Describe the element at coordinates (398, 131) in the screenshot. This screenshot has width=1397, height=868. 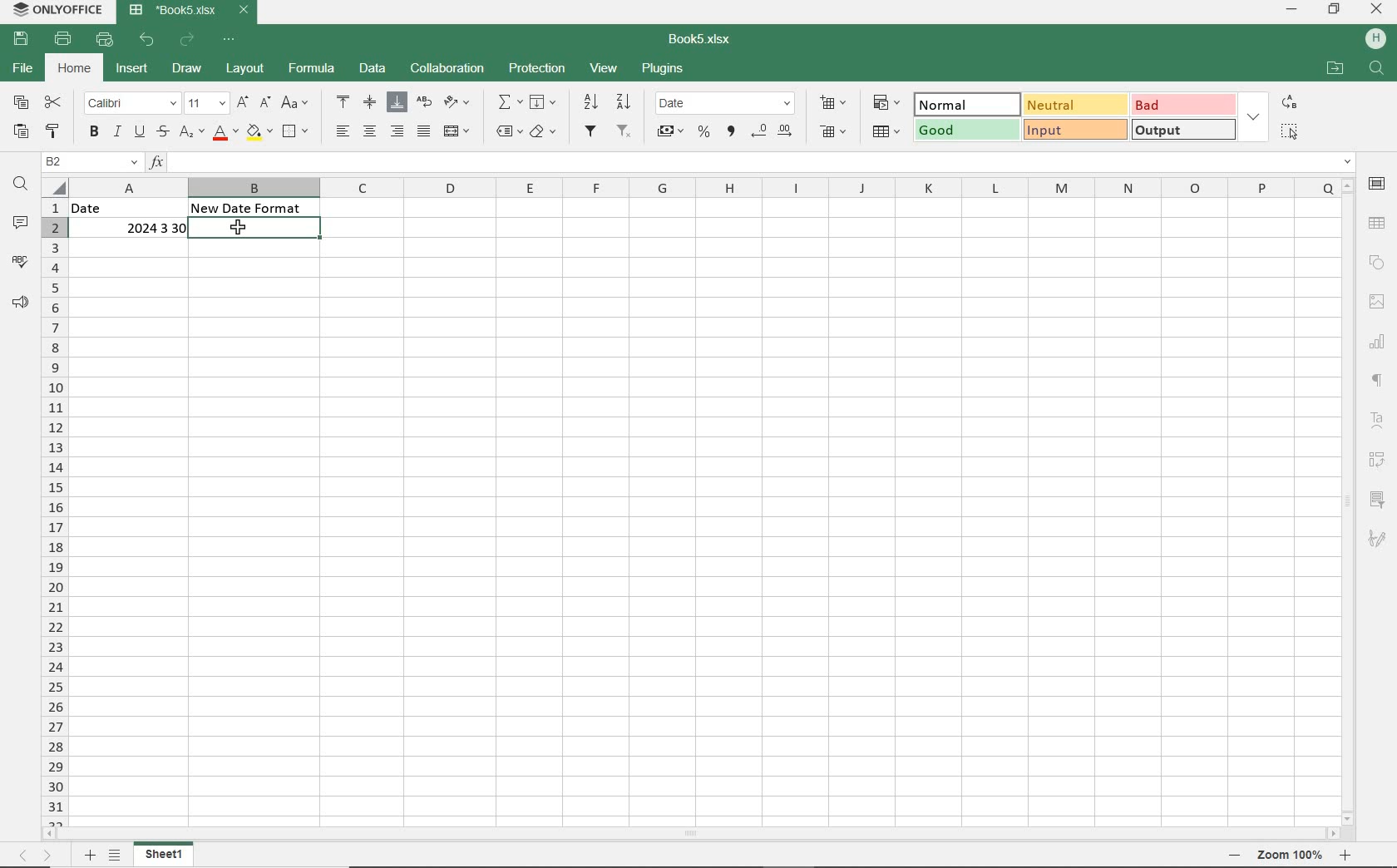
I see `ALIGN RIGHT` at that location.